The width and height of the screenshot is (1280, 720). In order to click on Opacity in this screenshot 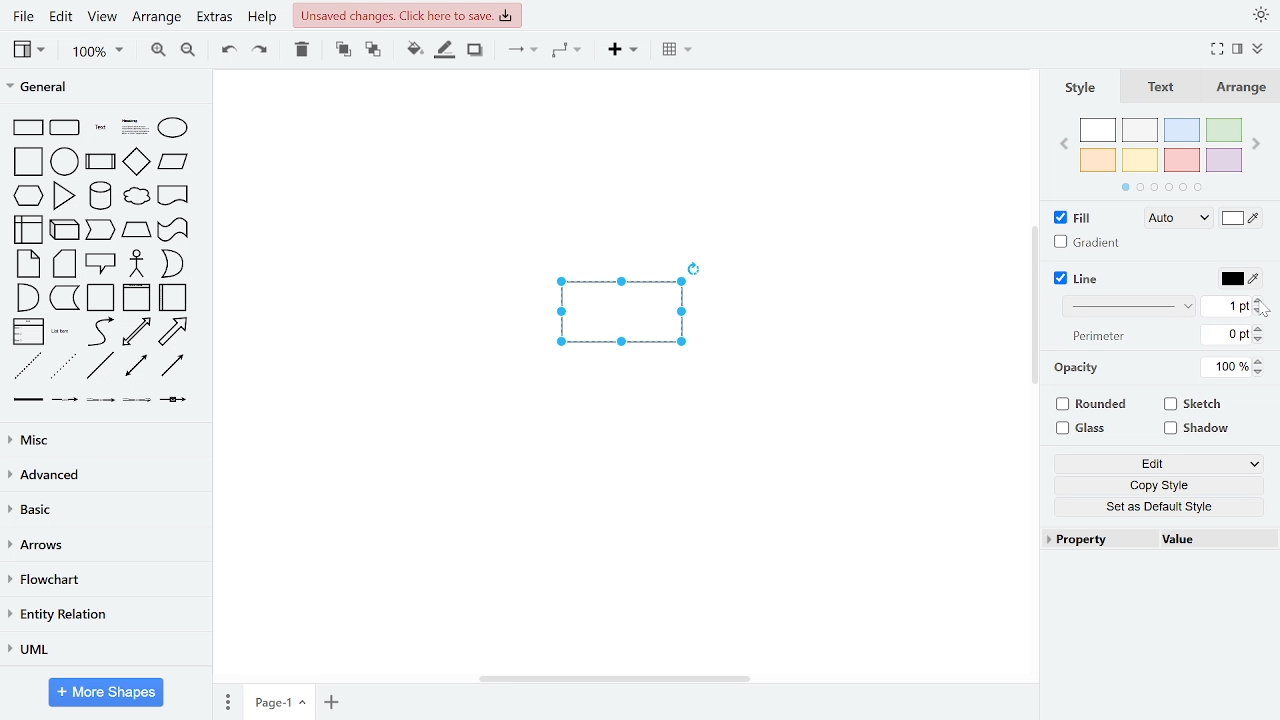, I will do `click(1078, 369)`.